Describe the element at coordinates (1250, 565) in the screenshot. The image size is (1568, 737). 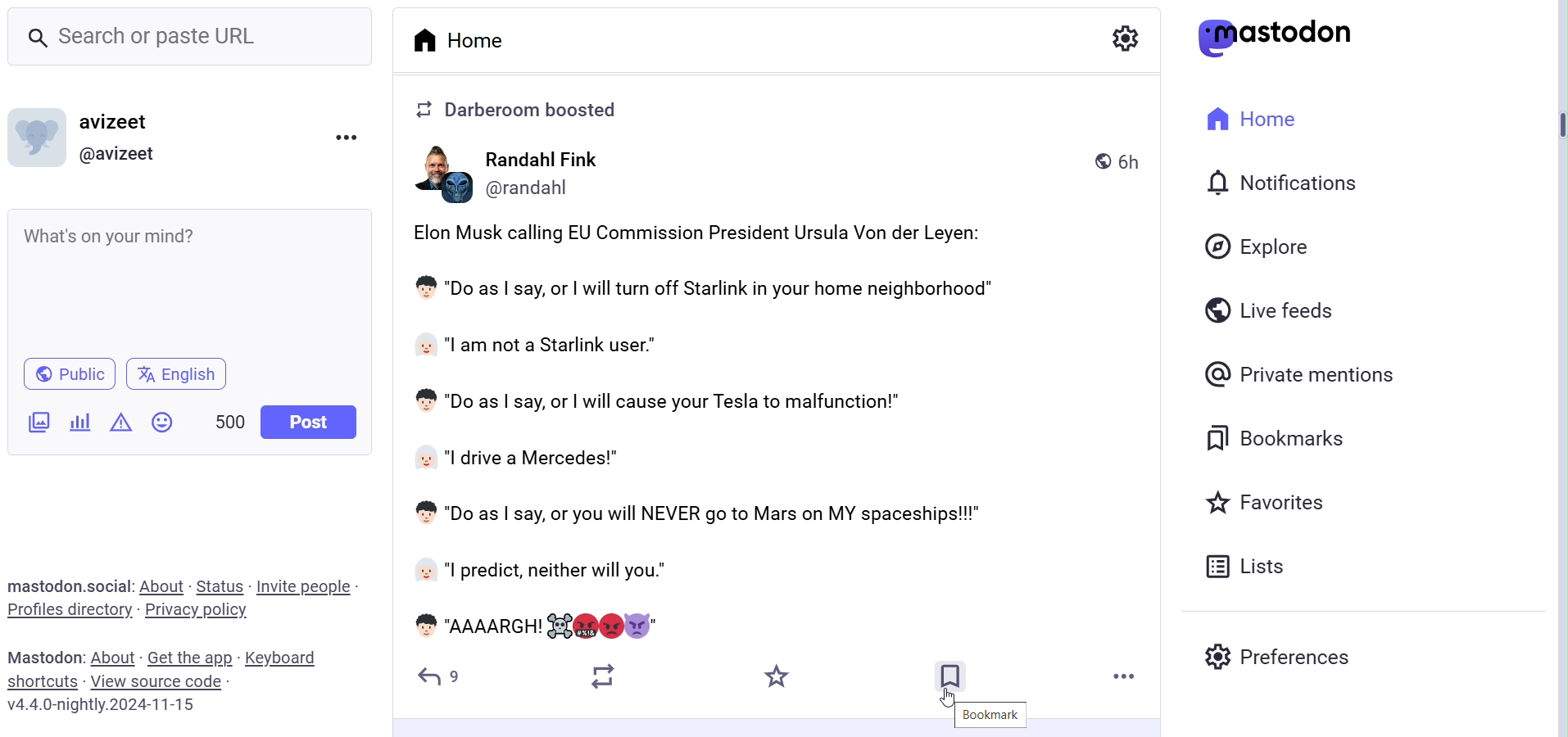
I see `Lists` at that location.